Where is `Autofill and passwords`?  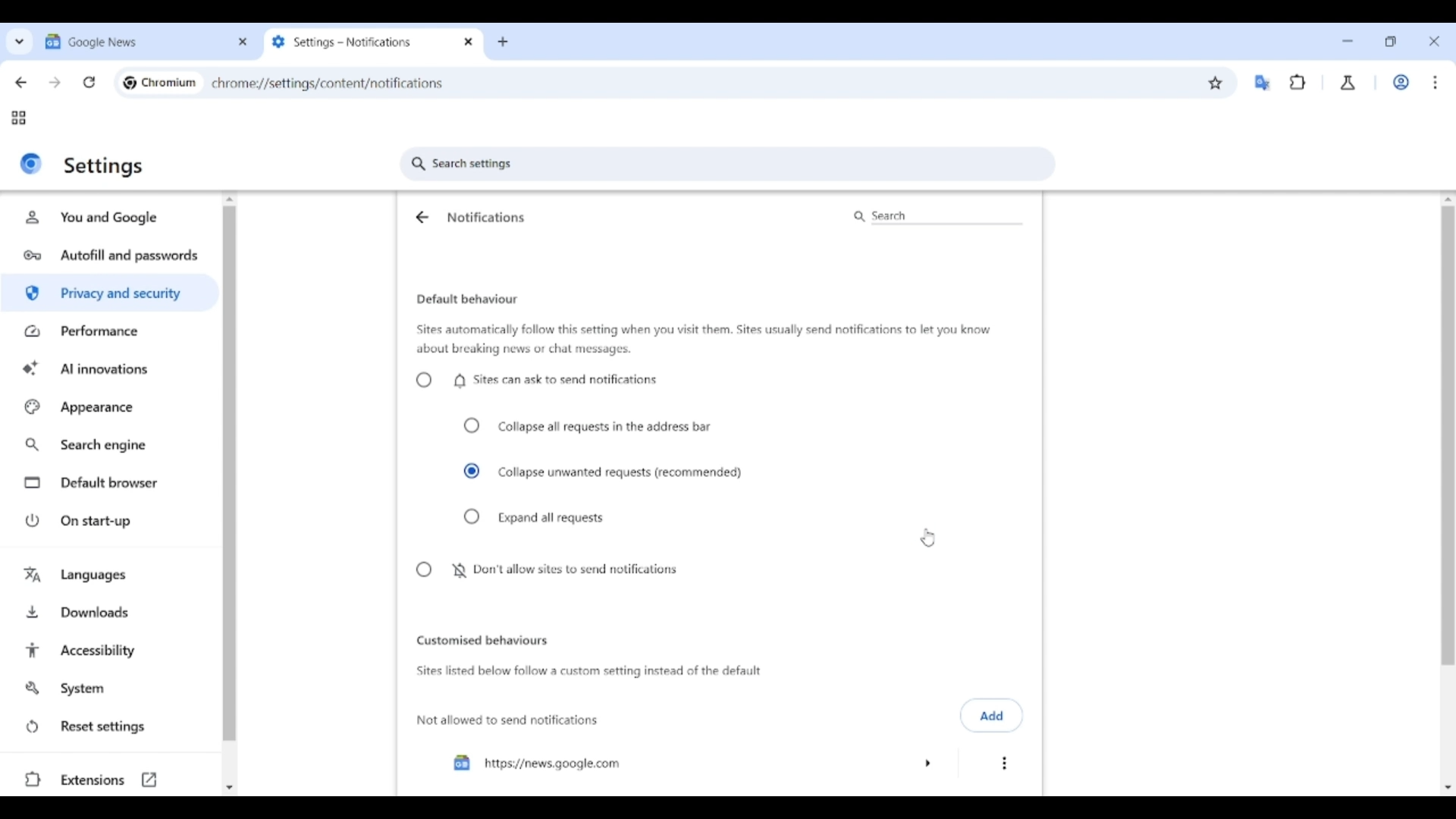 Autofill and passwords is located at coordinates (112, 256).